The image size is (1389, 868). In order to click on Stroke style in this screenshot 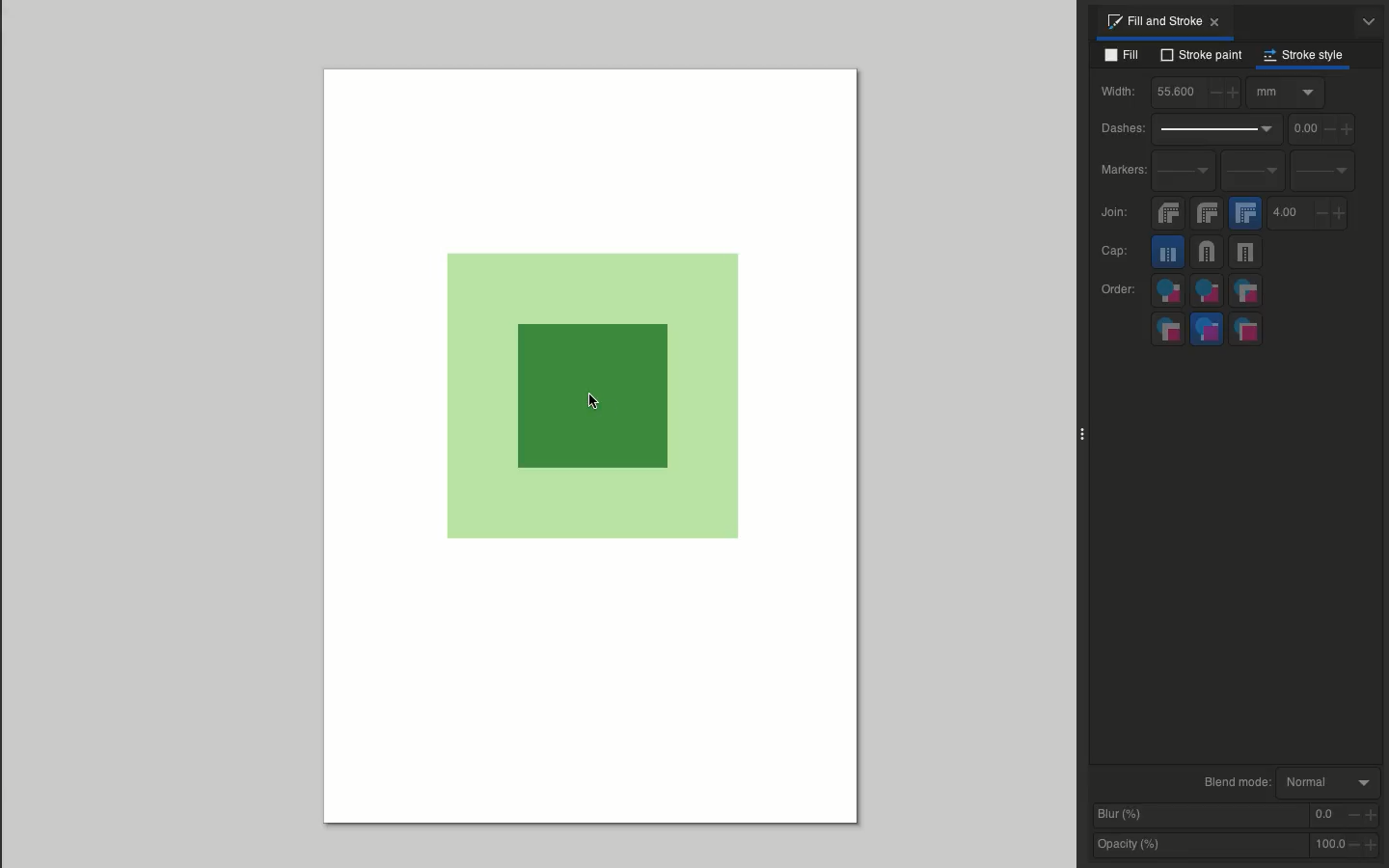, I will do `click(1305, 57)`.